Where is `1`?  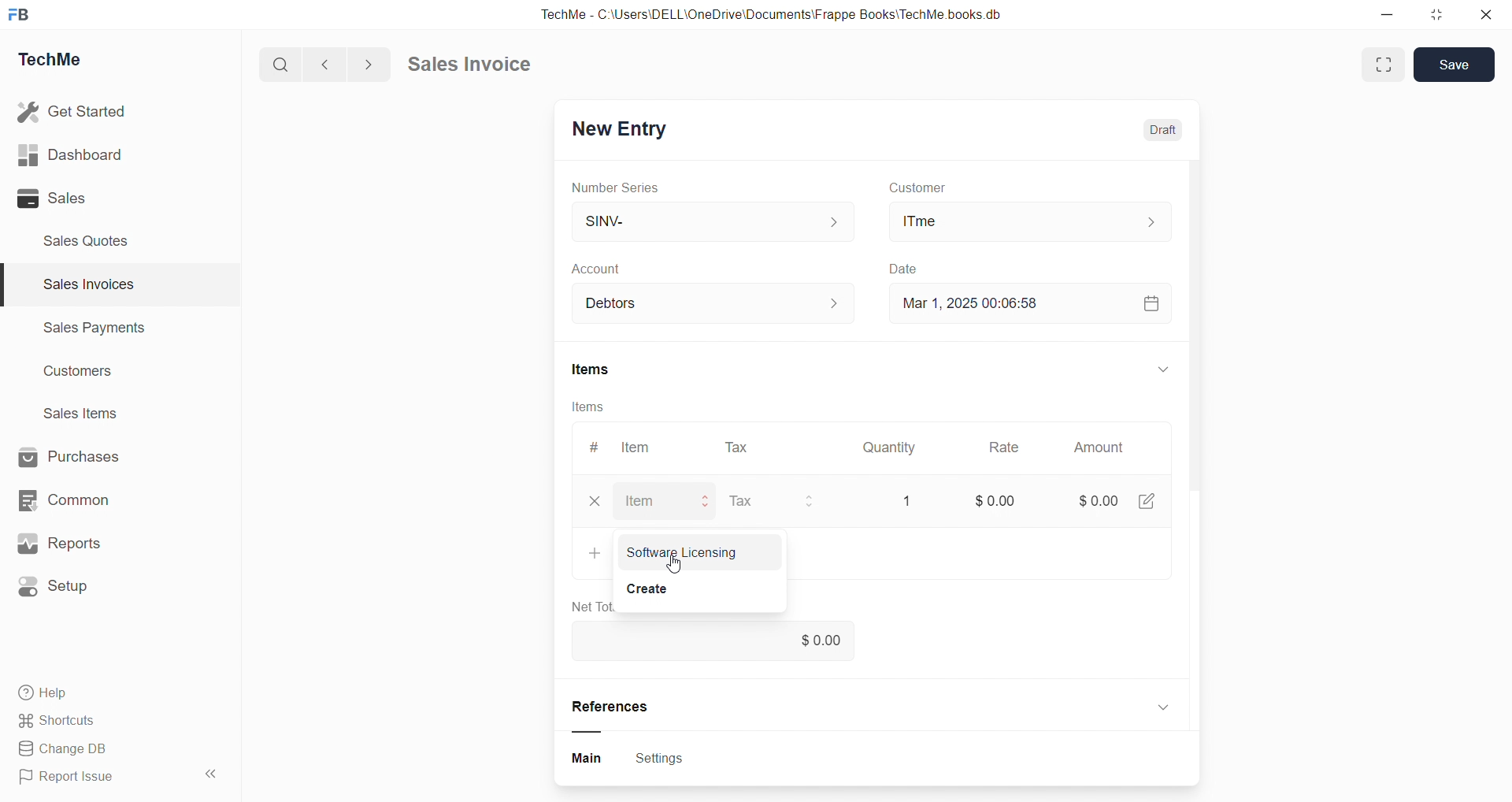
1 is located at coordinates (903, 496).